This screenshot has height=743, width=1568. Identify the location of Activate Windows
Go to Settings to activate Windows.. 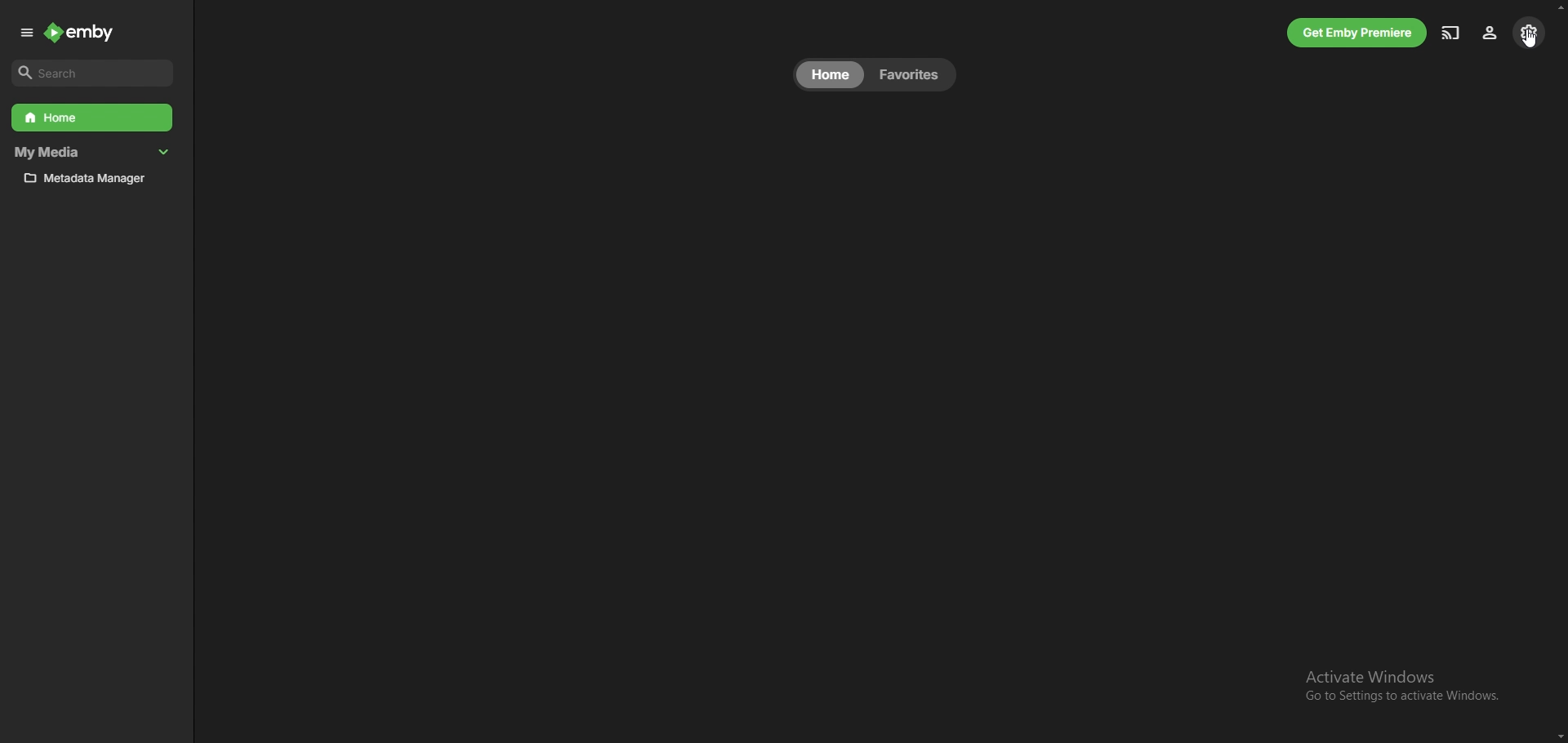
(1399, 686).